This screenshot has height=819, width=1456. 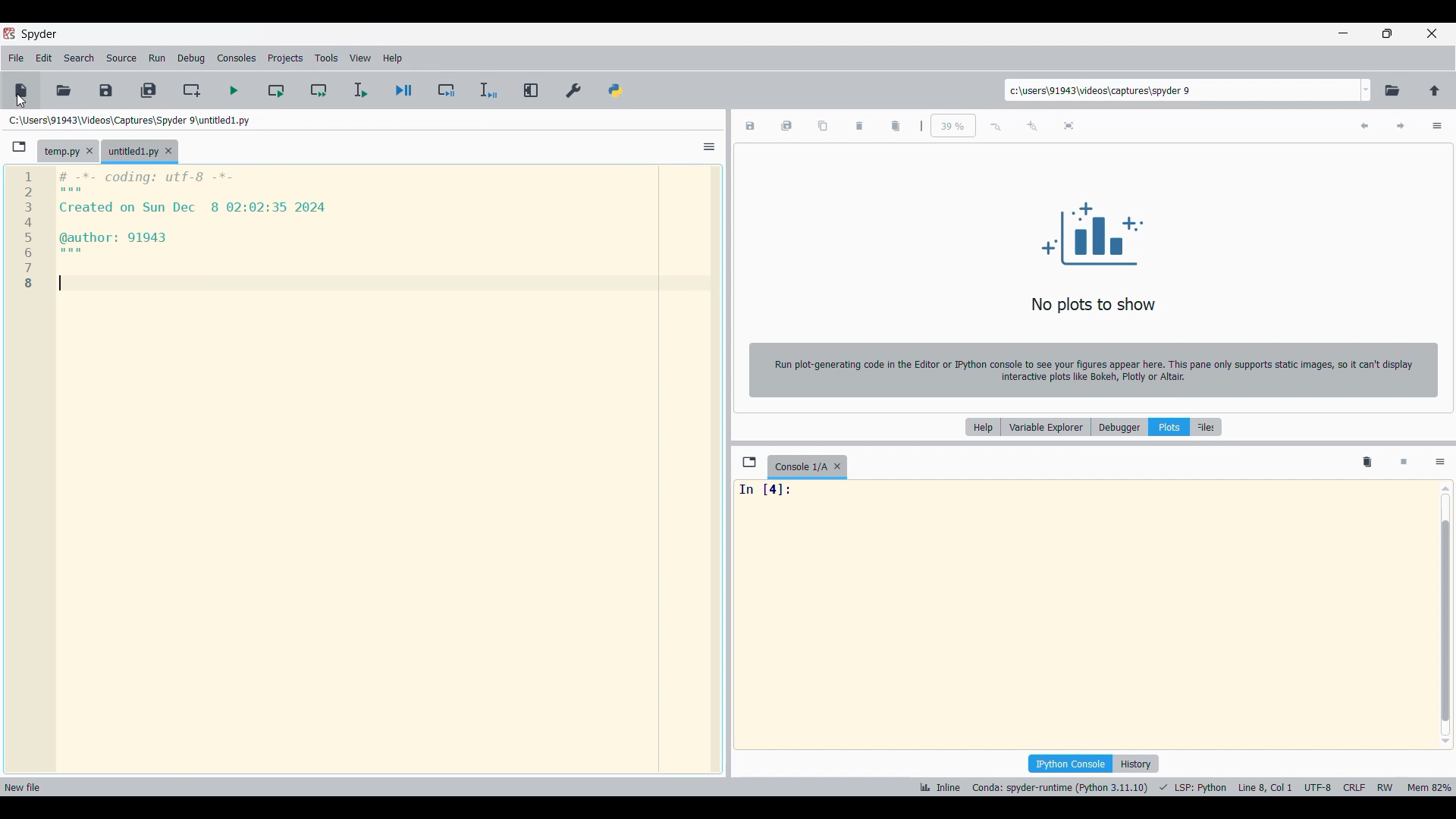 I want to click on Debugger, so click(x=1120, y=427).